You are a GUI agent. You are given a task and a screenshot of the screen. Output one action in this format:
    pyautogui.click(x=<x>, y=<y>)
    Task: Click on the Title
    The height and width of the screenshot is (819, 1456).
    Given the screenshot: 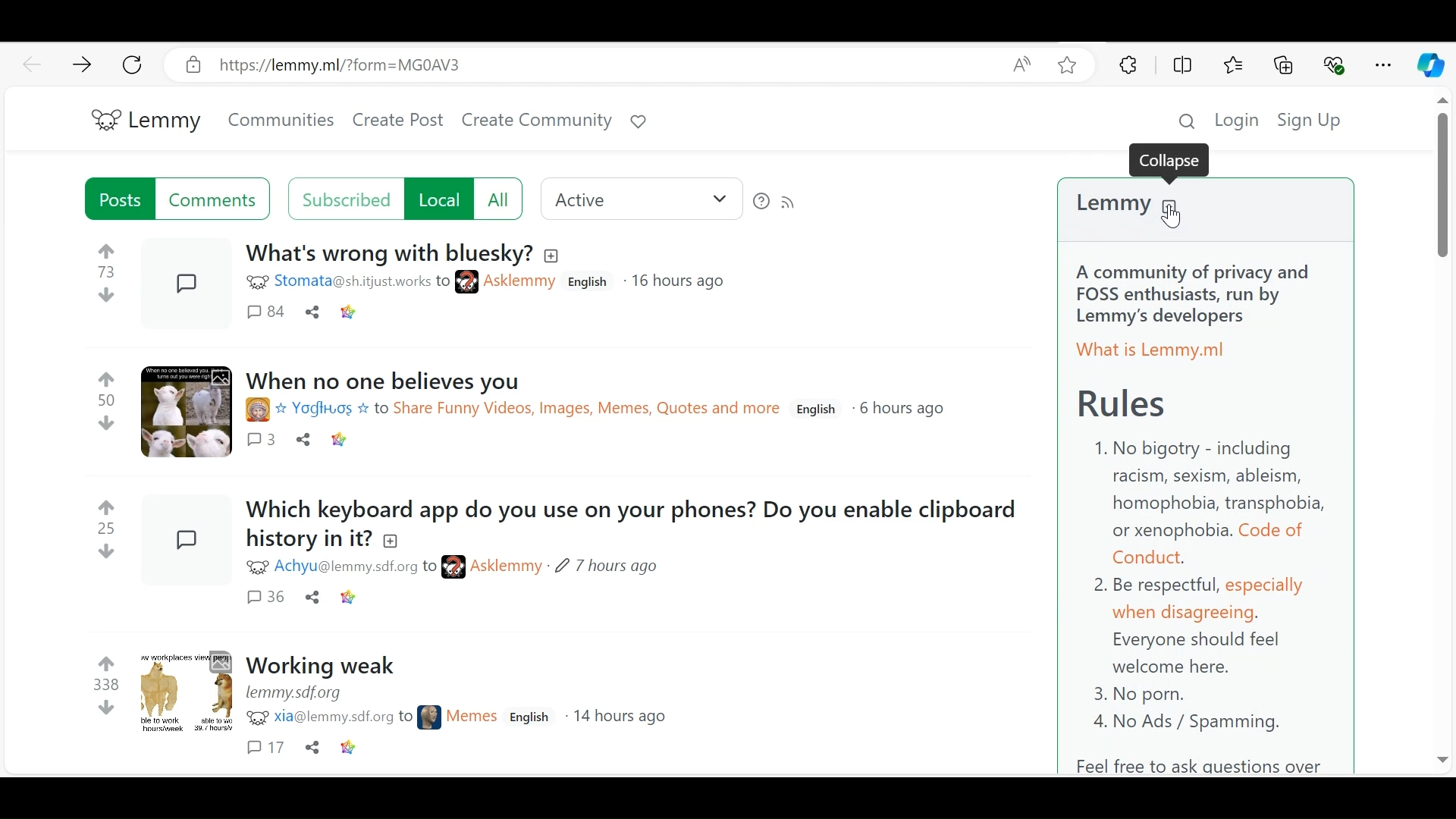 What is the action you would take?
    pyautogui.click(x=389, y=254)
    